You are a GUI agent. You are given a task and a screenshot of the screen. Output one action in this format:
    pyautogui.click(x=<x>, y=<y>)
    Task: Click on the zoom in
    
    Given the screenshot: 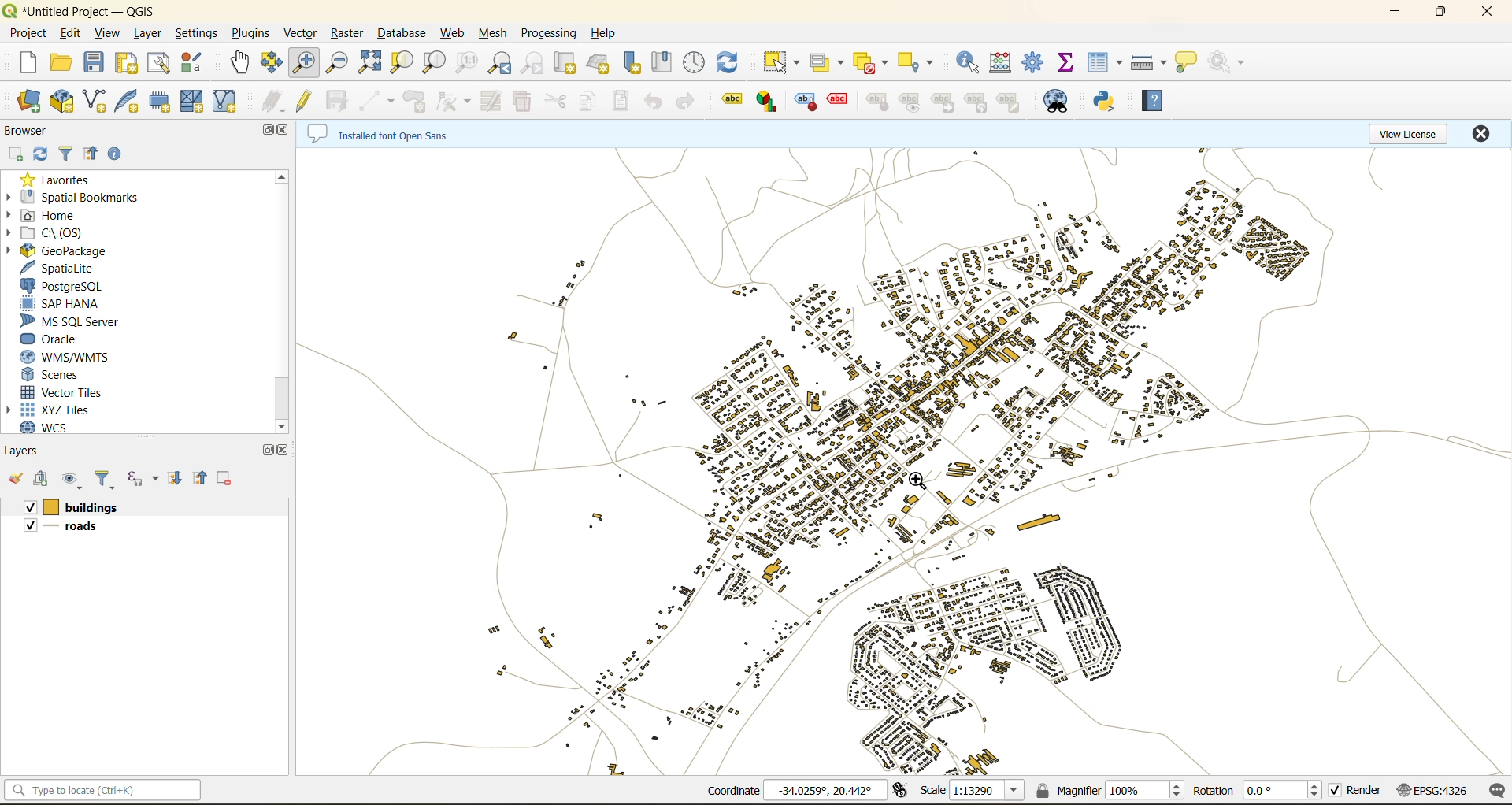 What is the action you would take?
    pyautogui.click(x=306, y=62)
    